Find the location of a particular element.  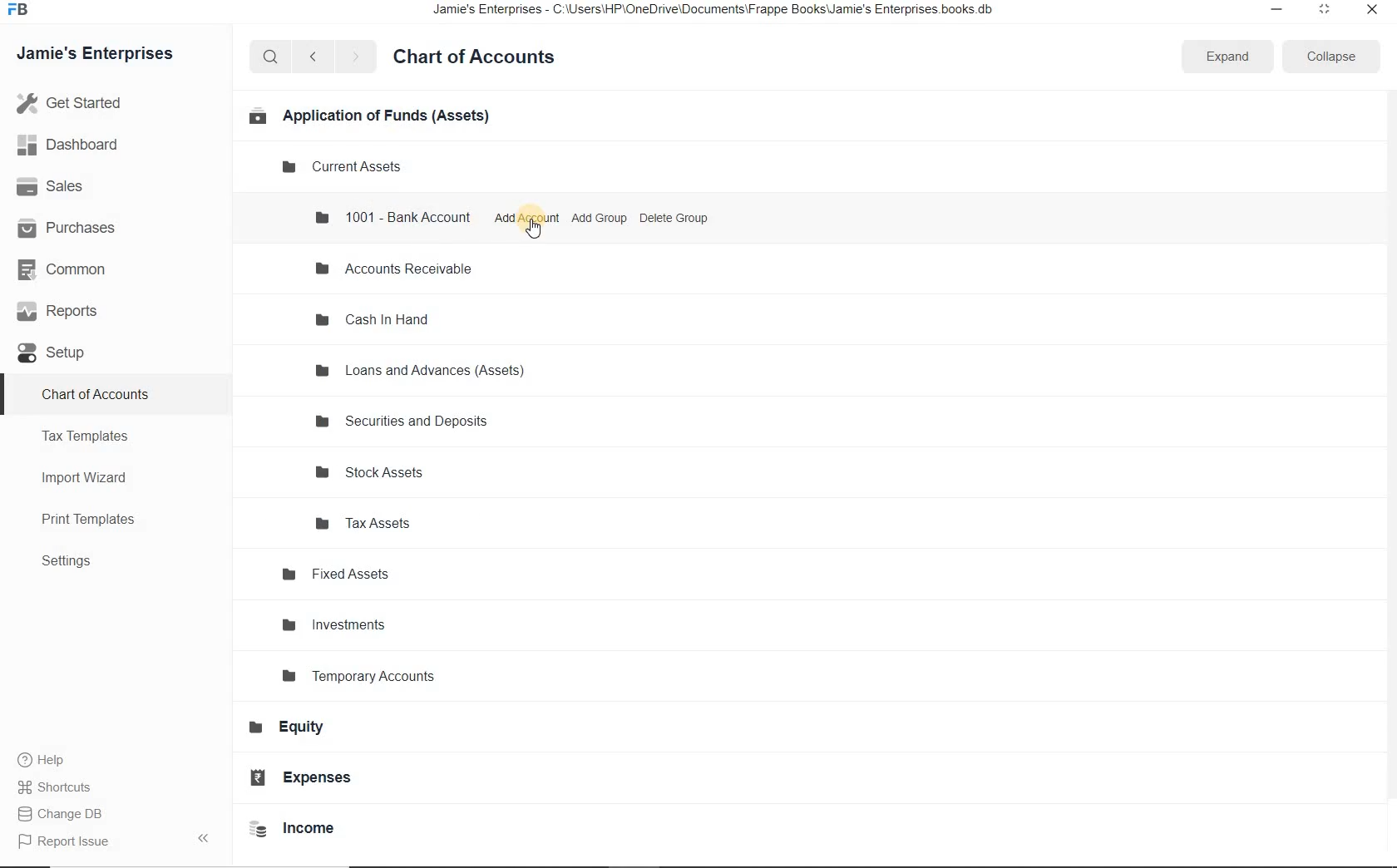

close is located at coordinates (1373, 11).